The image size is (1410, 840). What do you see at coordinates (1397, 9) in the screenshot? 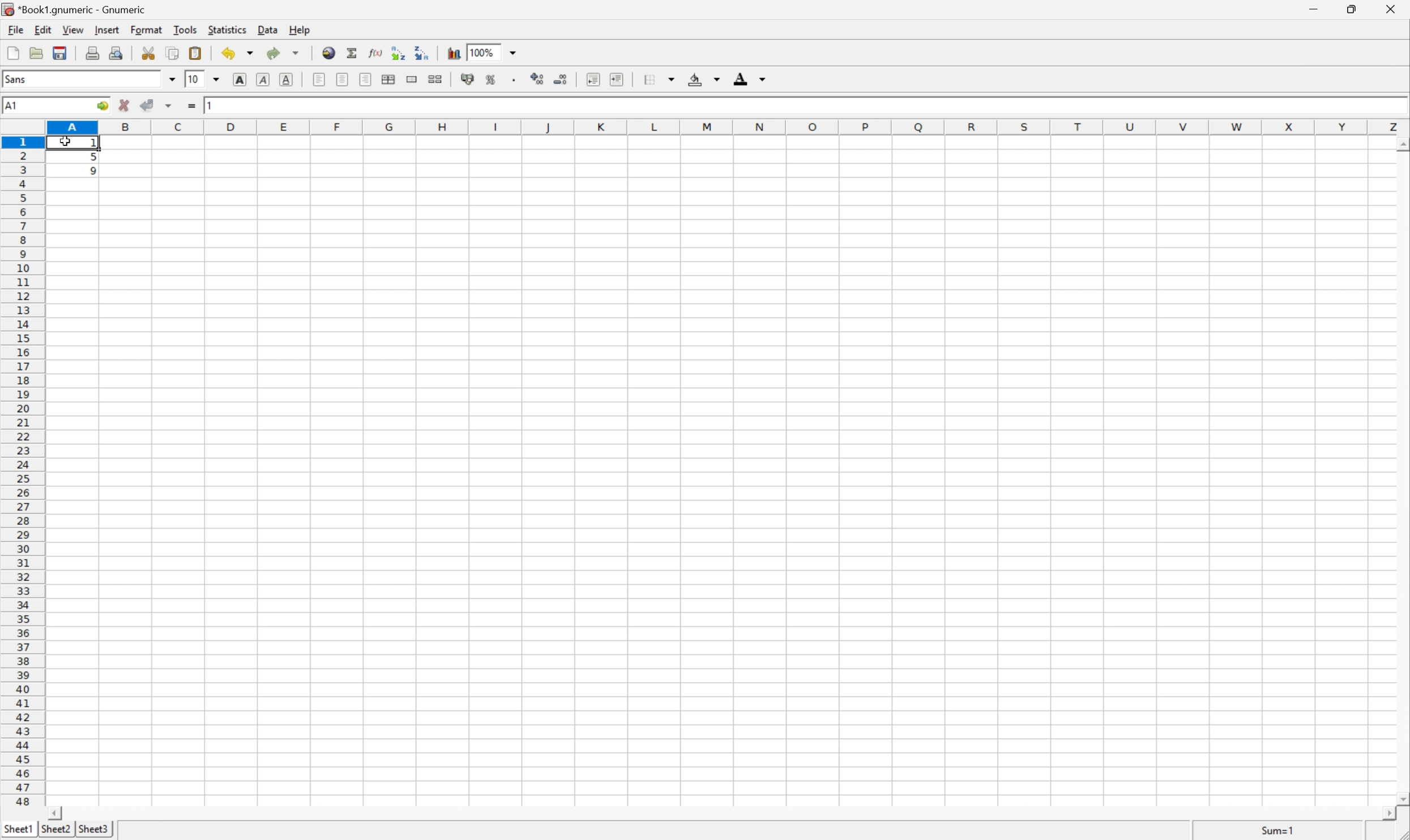
I see `close` at bounding box center [1397, 9].